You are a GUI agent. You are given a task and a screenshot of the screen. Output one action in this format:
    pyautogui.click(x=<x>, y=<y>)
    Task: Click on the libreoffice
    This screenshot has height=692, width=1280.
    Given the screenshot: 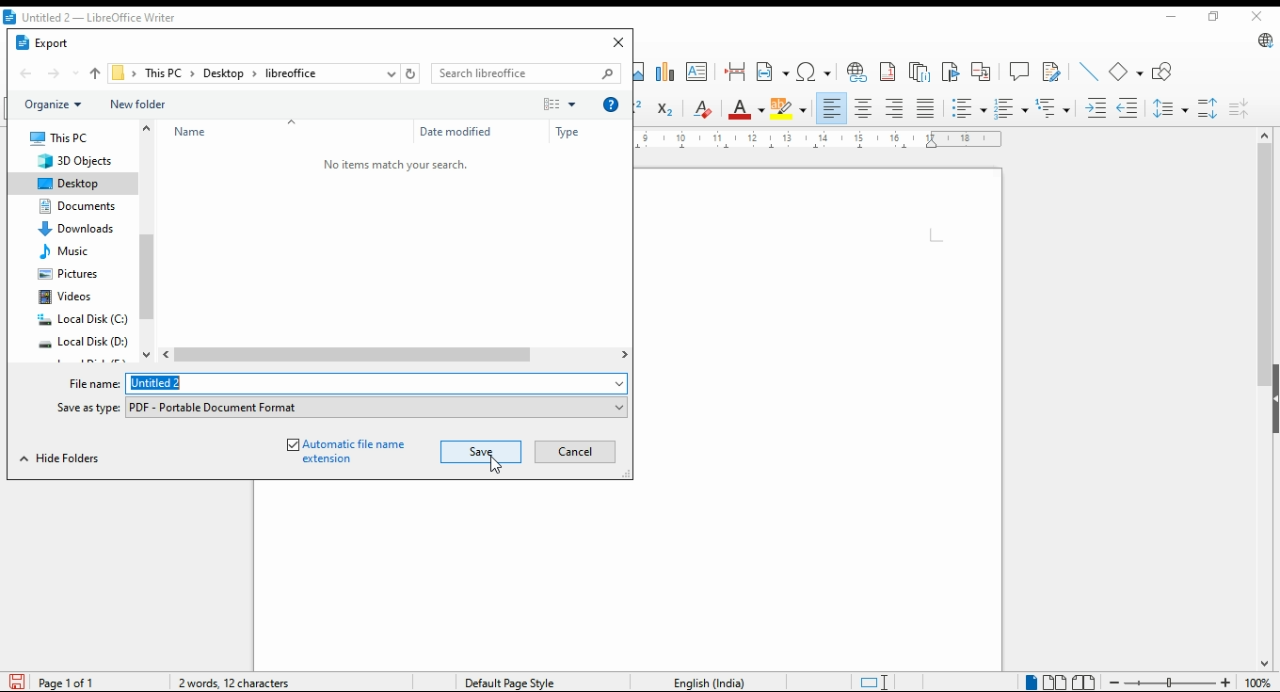 What is the action you would take?
    pyautogui.click(x=289, y=72)
    